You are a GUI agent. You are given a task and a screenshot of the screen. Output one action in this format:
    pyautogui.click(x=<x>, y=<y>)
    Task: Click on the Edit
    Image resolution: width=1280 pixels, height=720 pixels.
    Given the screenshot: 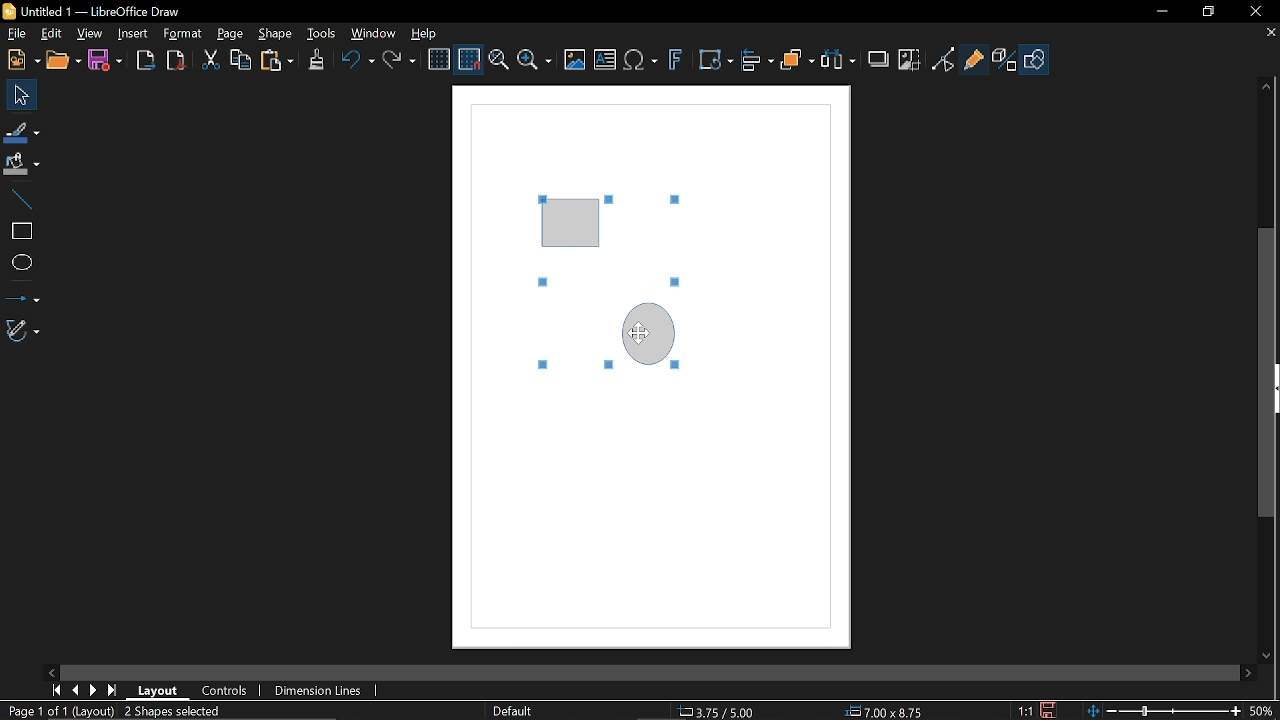 What is the action you would take?
    pyautogui.click(x=50, y=34)
    